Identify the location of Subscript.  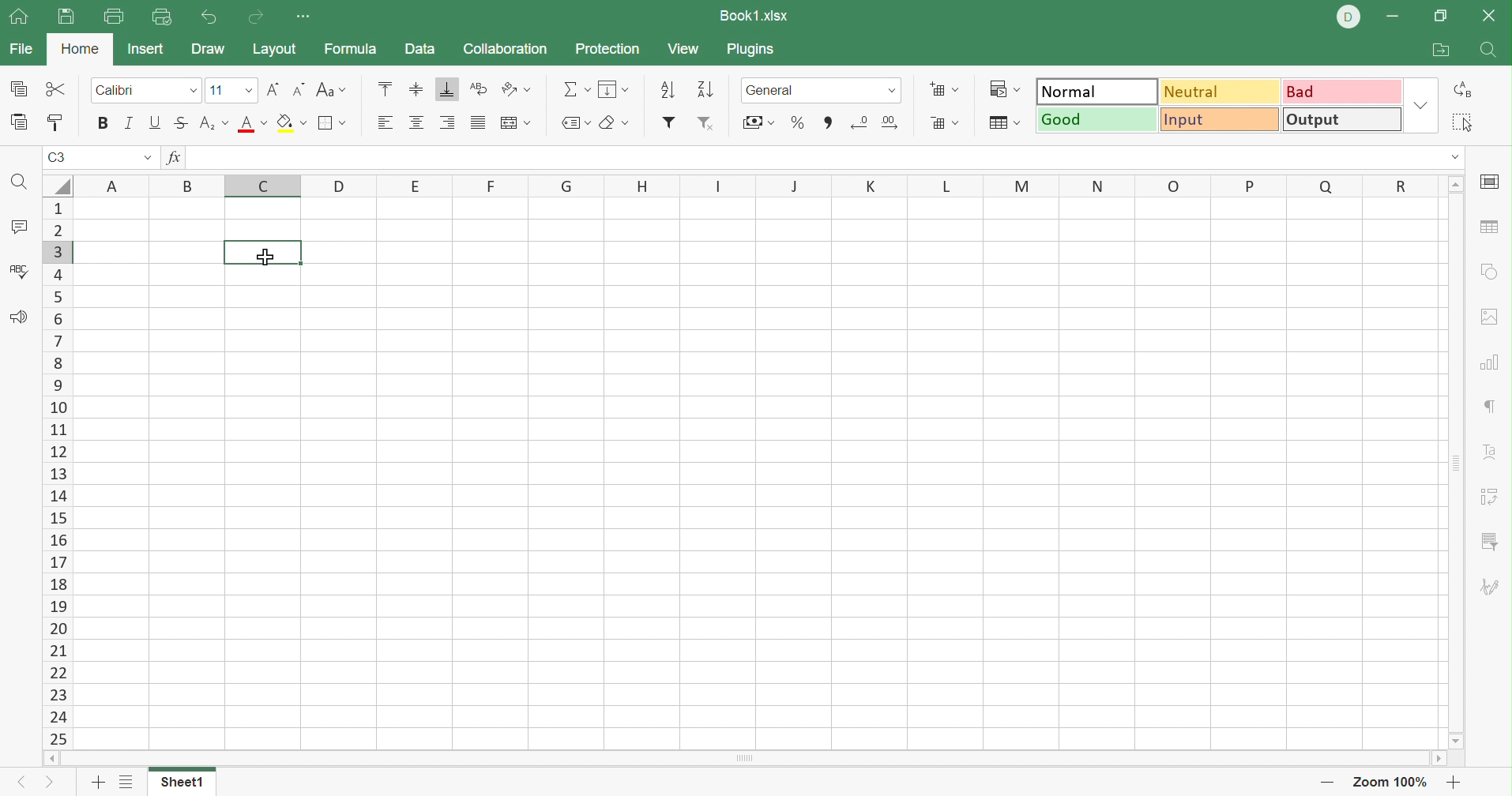
(213, 122).